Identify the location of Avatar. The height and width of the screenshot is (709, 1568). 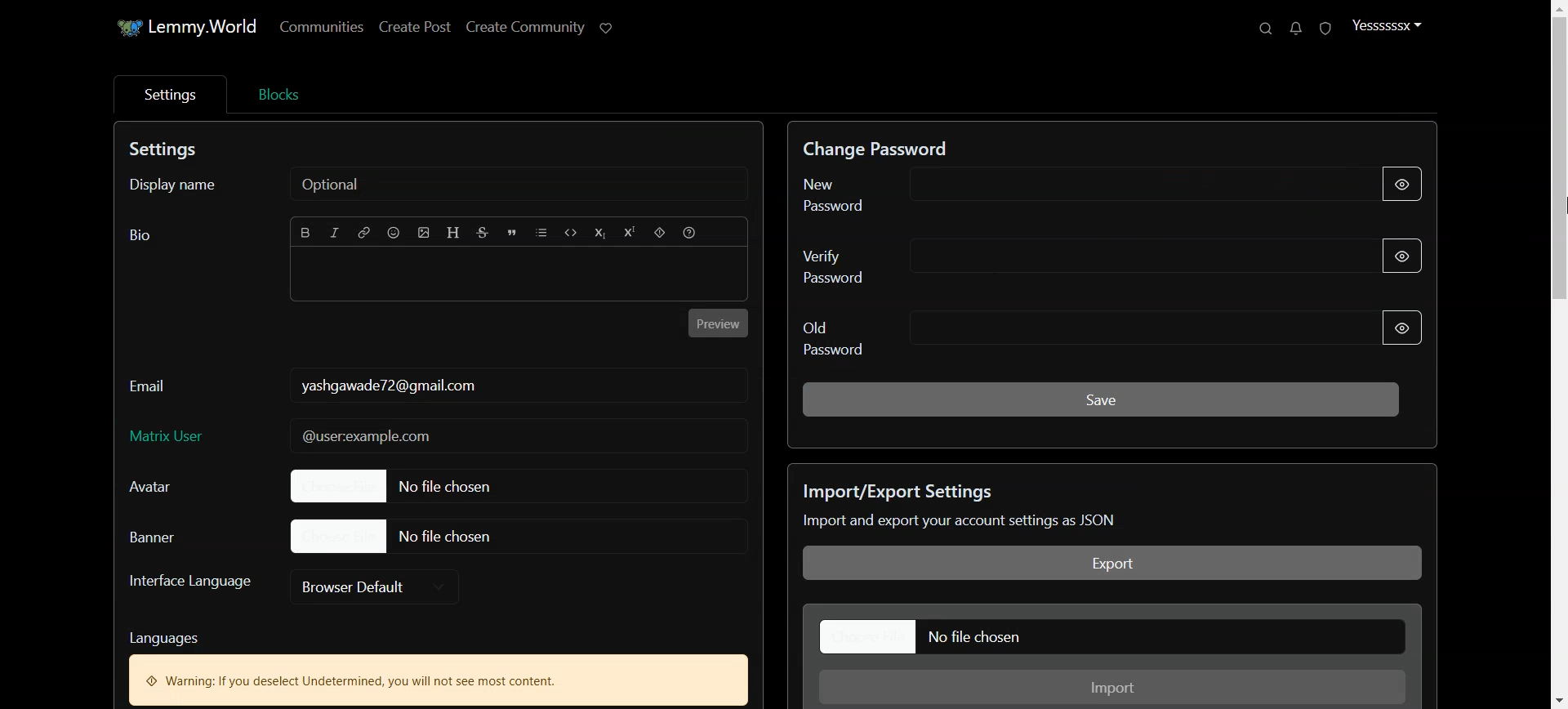
(163, 485).